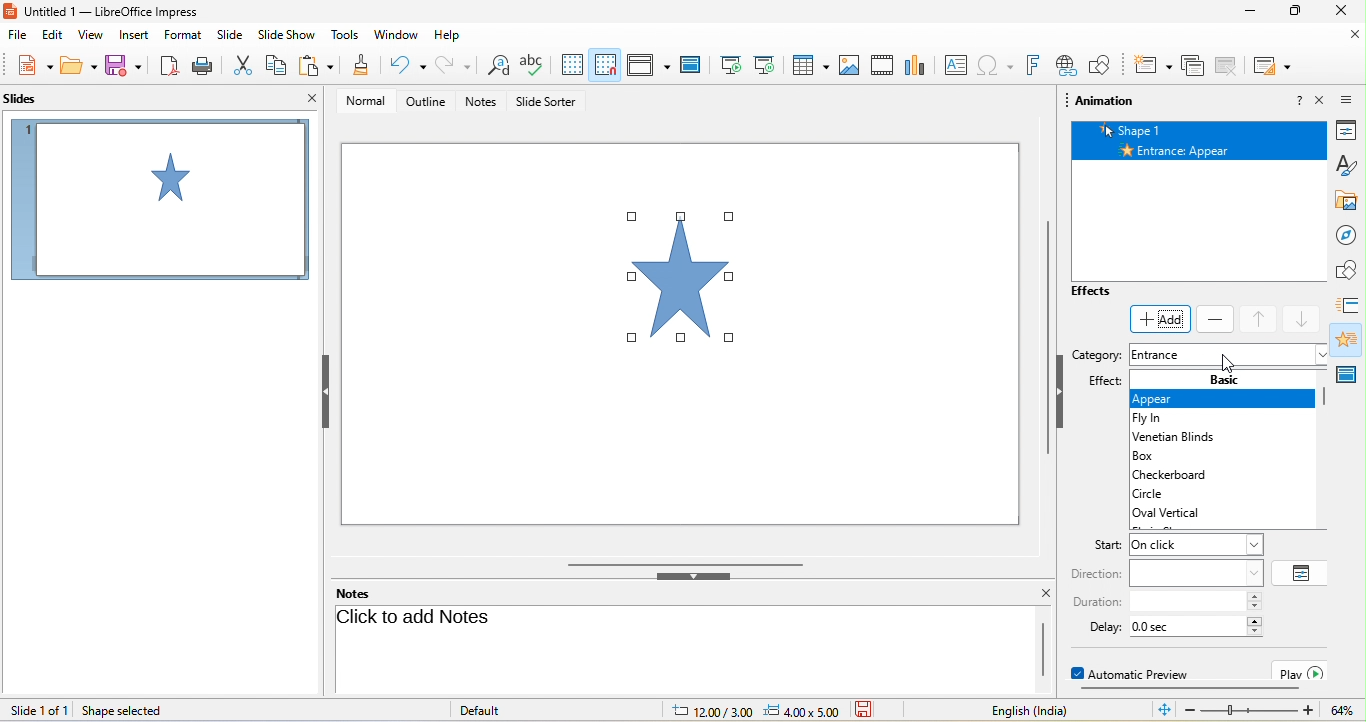 This screenshot has width=1366, height=722. I want to click on spelling, so click(533, 65).